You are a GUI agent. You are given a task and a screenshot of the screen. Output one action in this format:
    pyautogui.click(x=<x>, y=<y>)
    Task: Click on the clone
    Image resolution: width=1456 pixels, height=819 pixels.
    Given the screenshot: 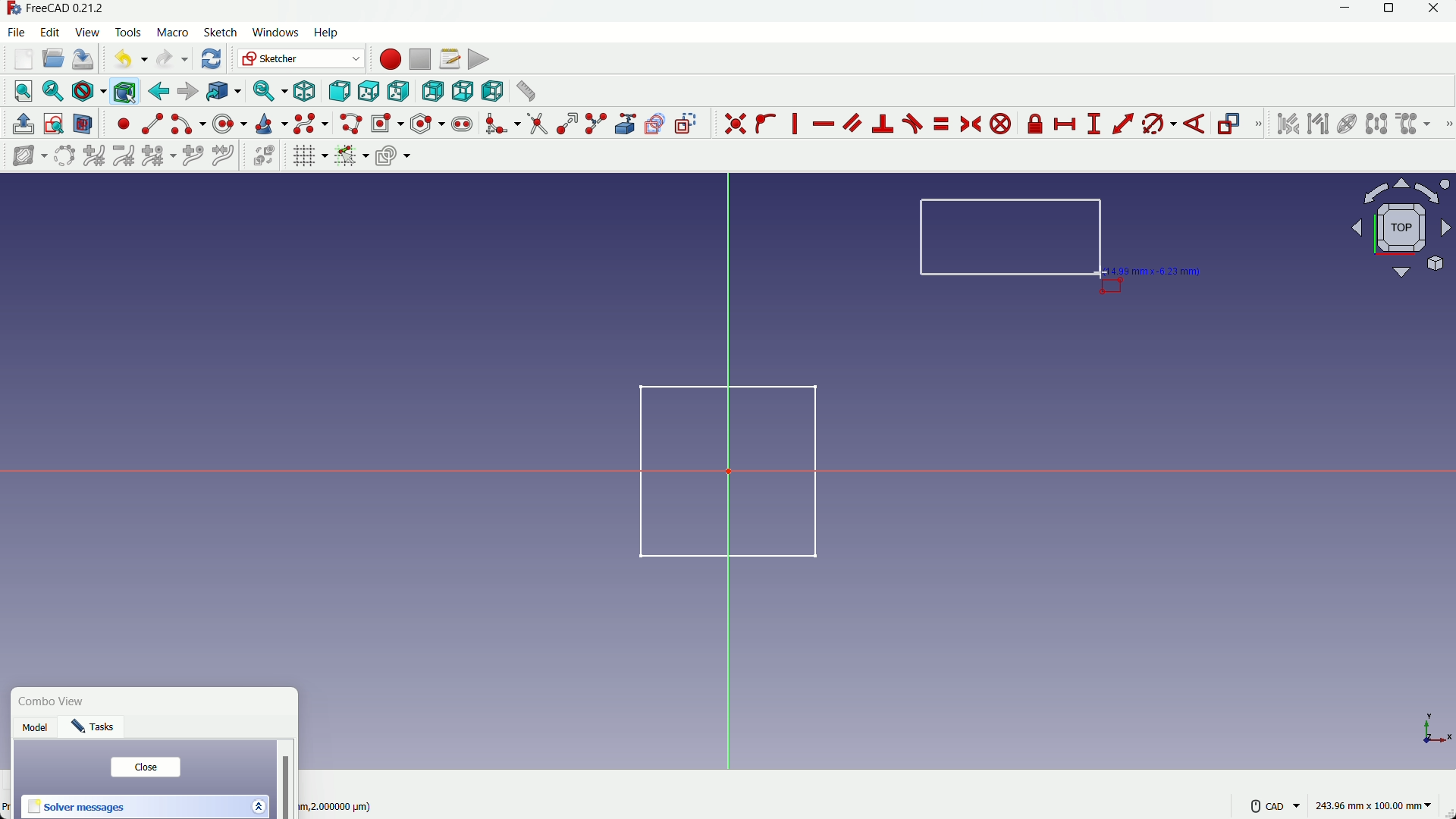 What is the action you would take?
    pyautogui.click(x=1414, y=125)
    